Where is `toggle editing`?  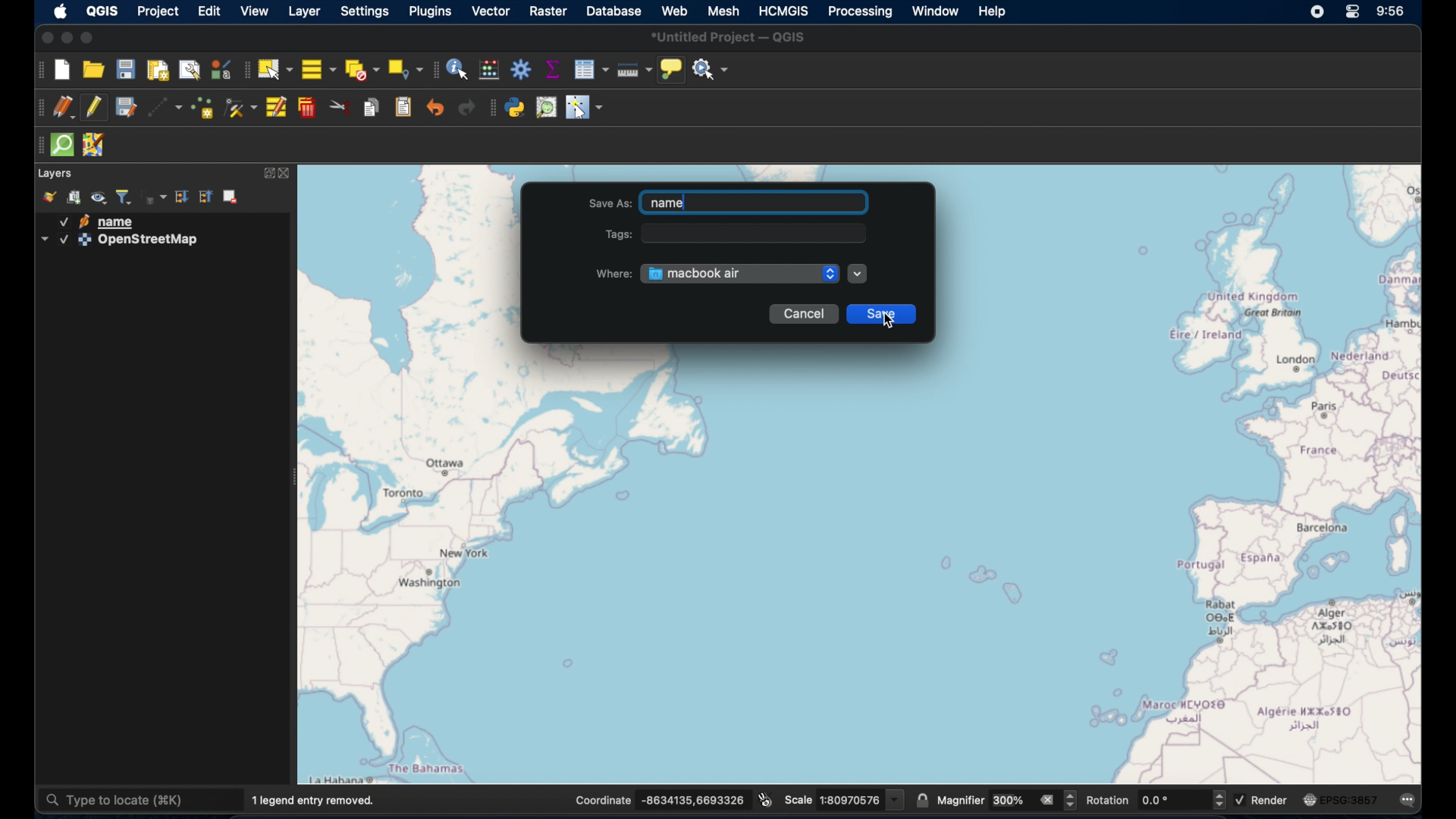 toggle editing is located at coordinates (93, 108).